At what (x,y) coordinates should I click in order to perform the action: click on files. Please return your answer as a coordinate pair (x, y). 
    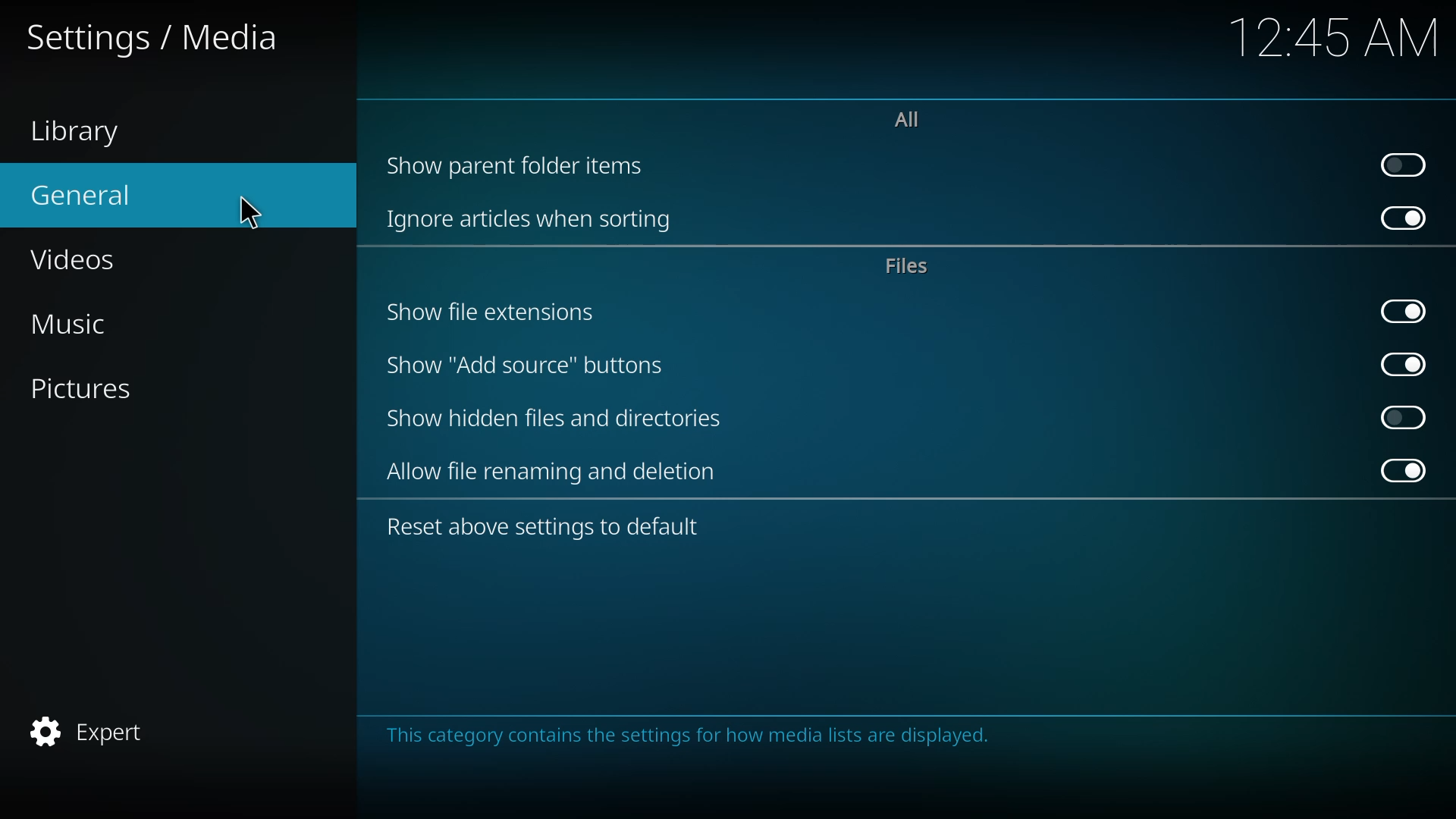
    Looking at the image, I should click on (907, 266).